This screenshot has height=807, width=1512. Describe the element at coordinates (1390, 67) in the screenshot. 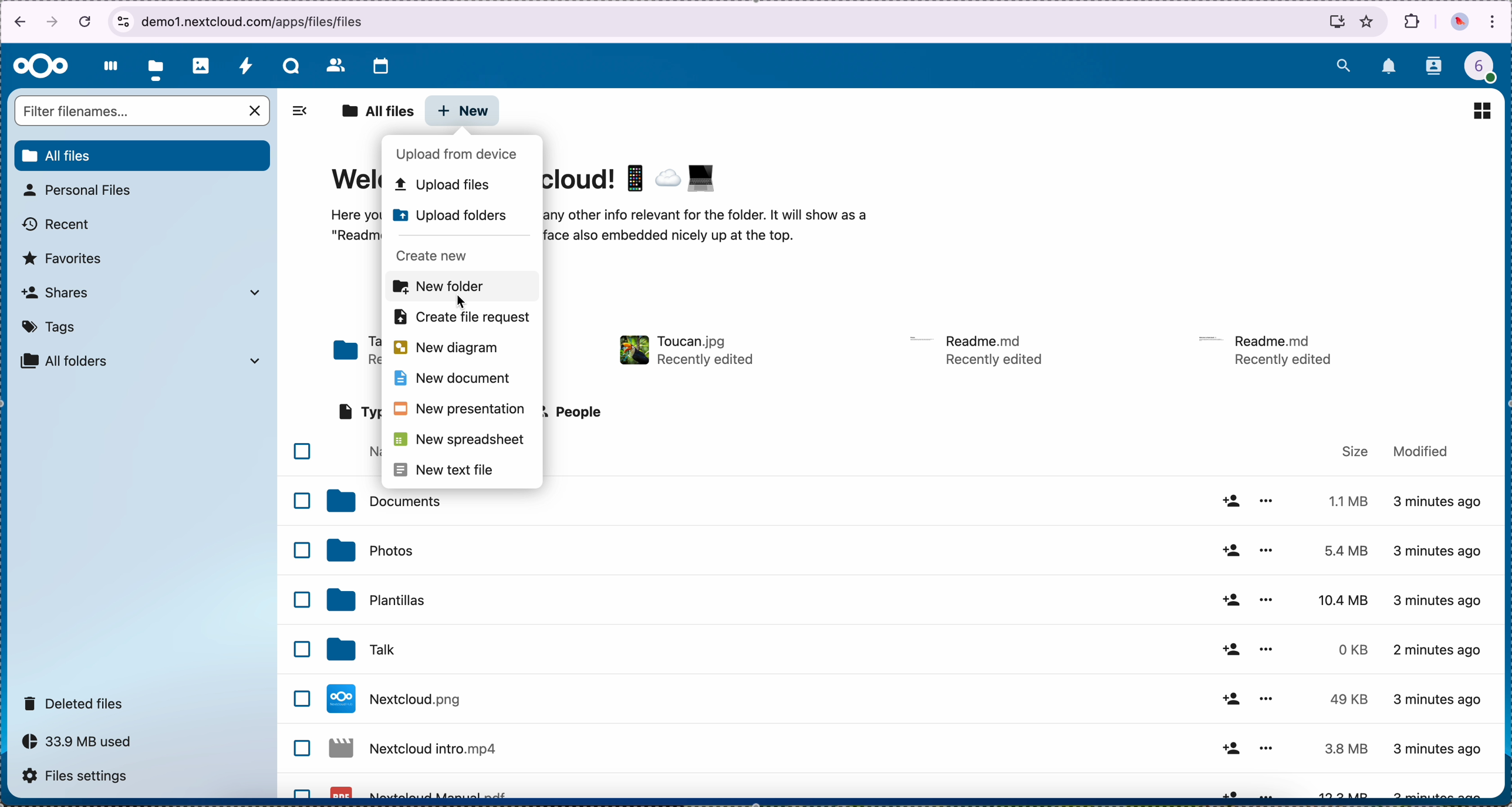

I see `notifications` at that location.